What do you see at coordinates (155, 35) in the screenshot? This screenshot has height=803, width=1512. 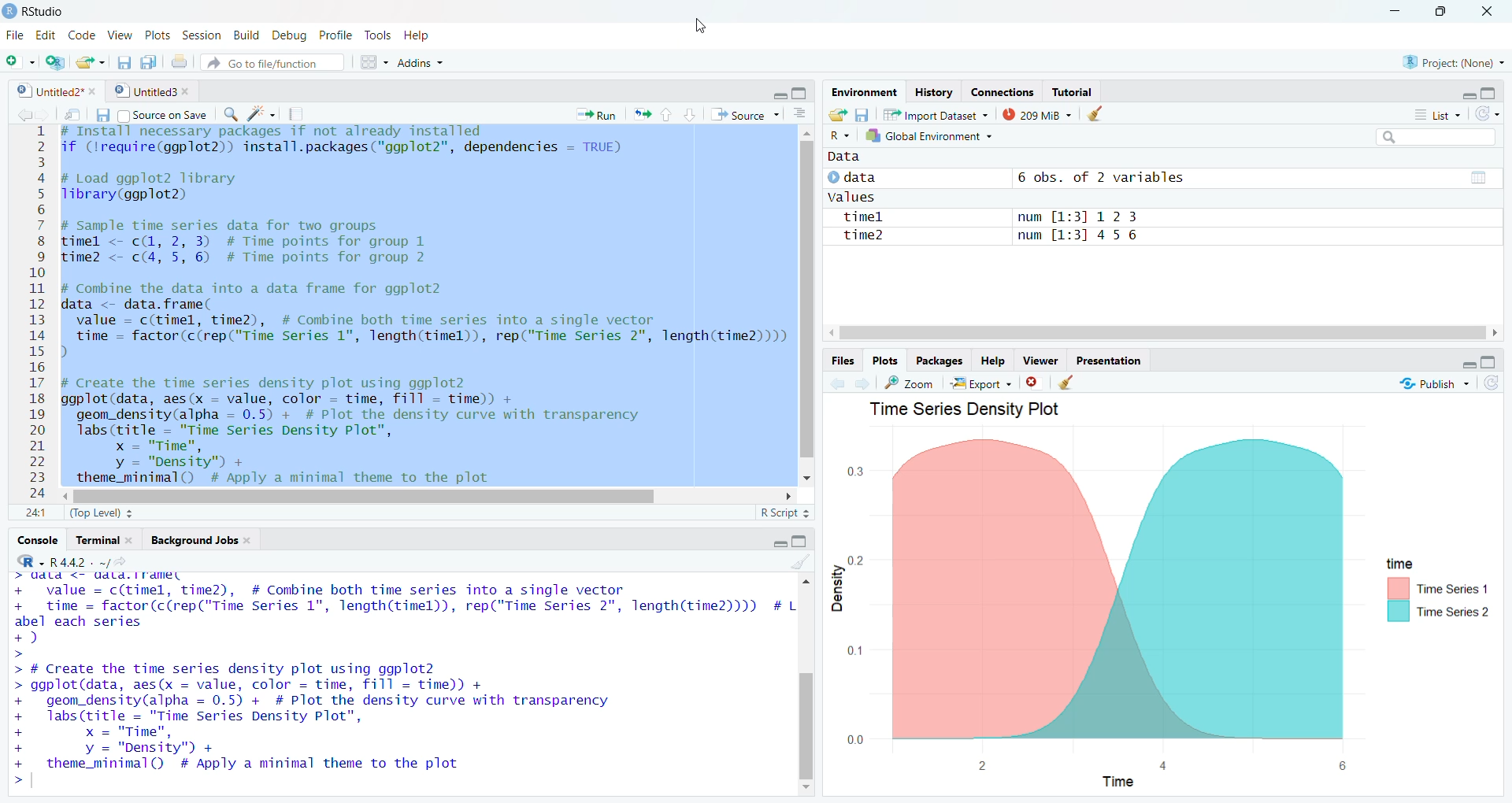 I see `Plots` at bounding box center [155, 35].